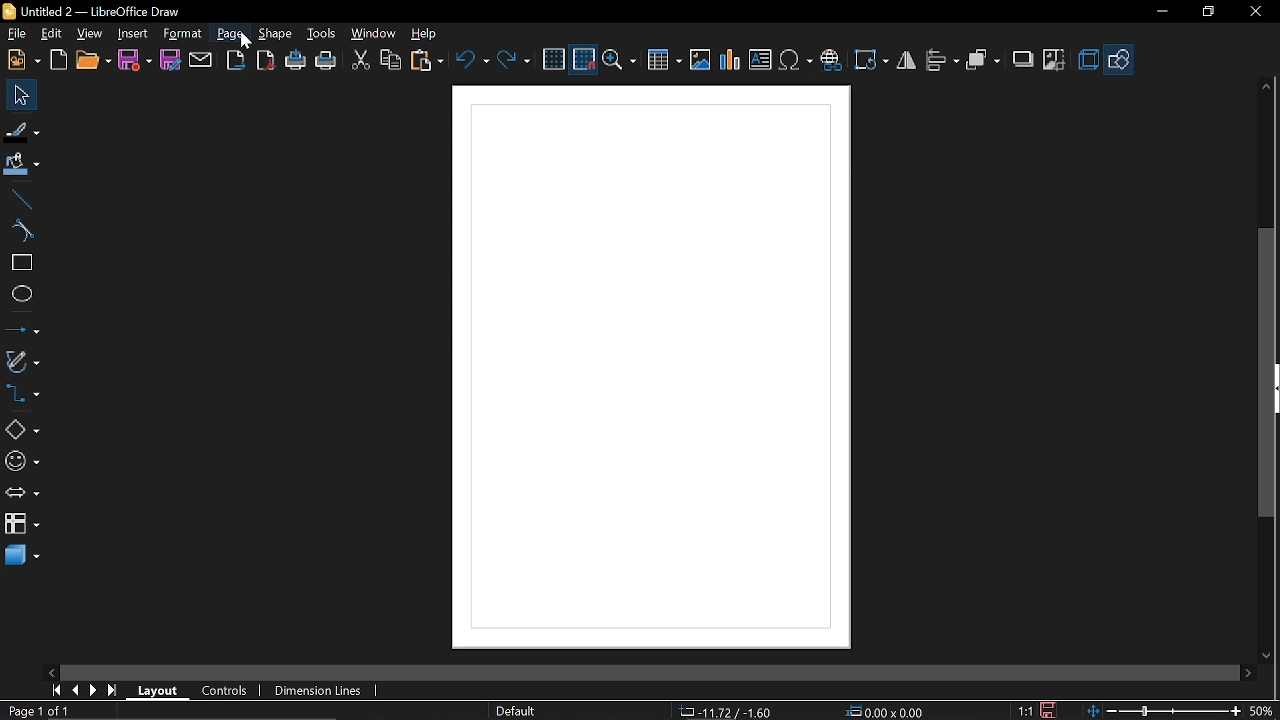  What do you see at coordinates (101, 10) in the screenshot?
I see `Untitled 2 - LibreOffice Draw` at bounding box center [101, 10].